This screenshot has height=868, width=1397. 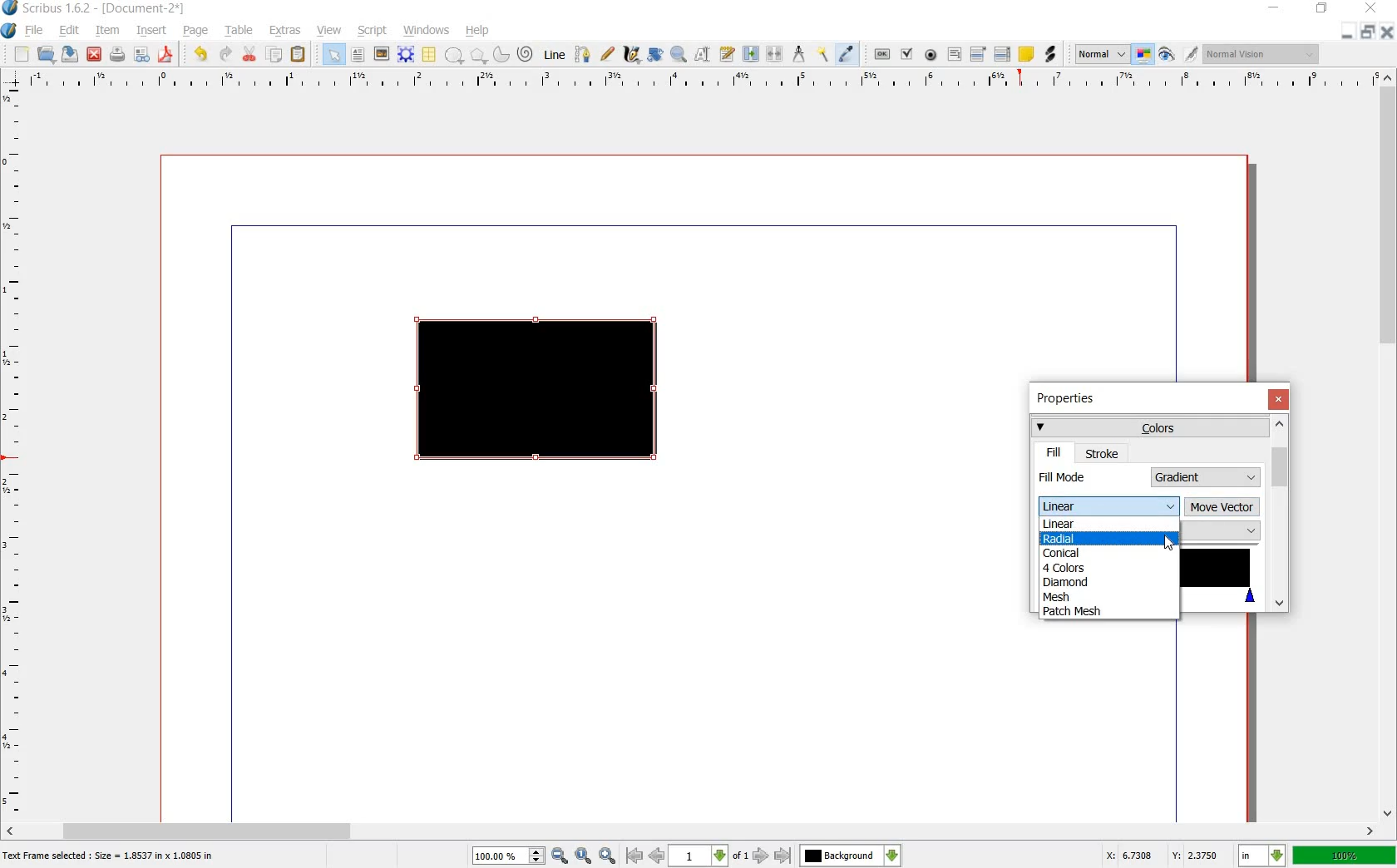 What do you see at coordinates (847, 55) in the screenshot?
I see `eye dropper` at bounding box center [847, 55].